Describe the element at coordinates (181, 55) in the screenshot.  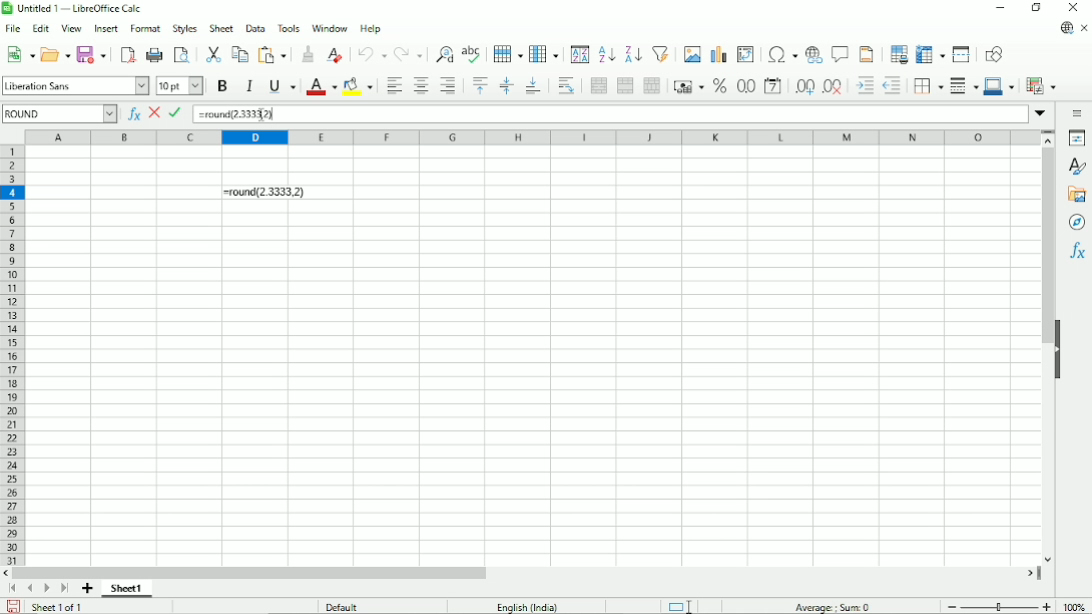
I see `Toggle print preview` at that location.